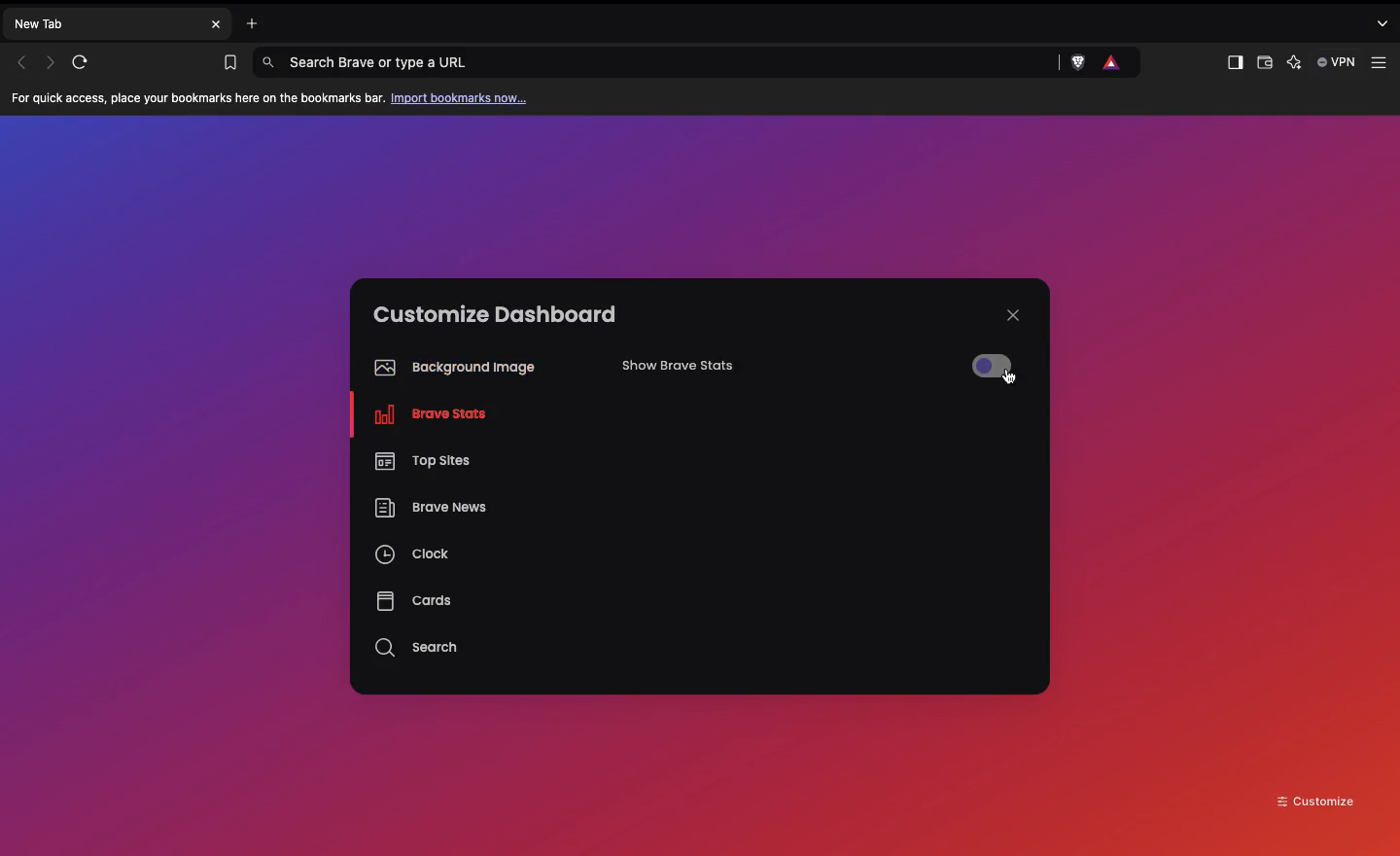 The image size is (1400, 856). I want to click on Leo AI, so click(1293, 64).